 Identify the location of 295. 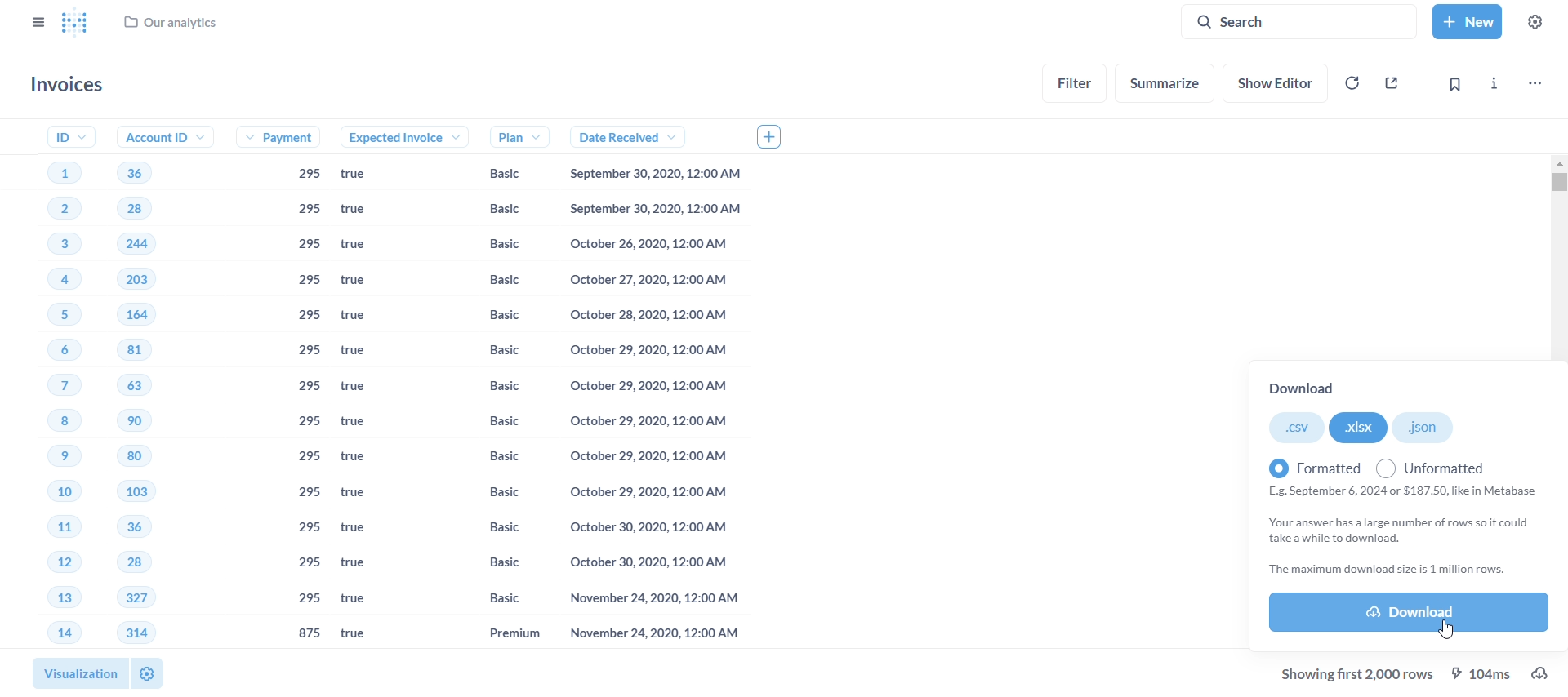
(310, 458).